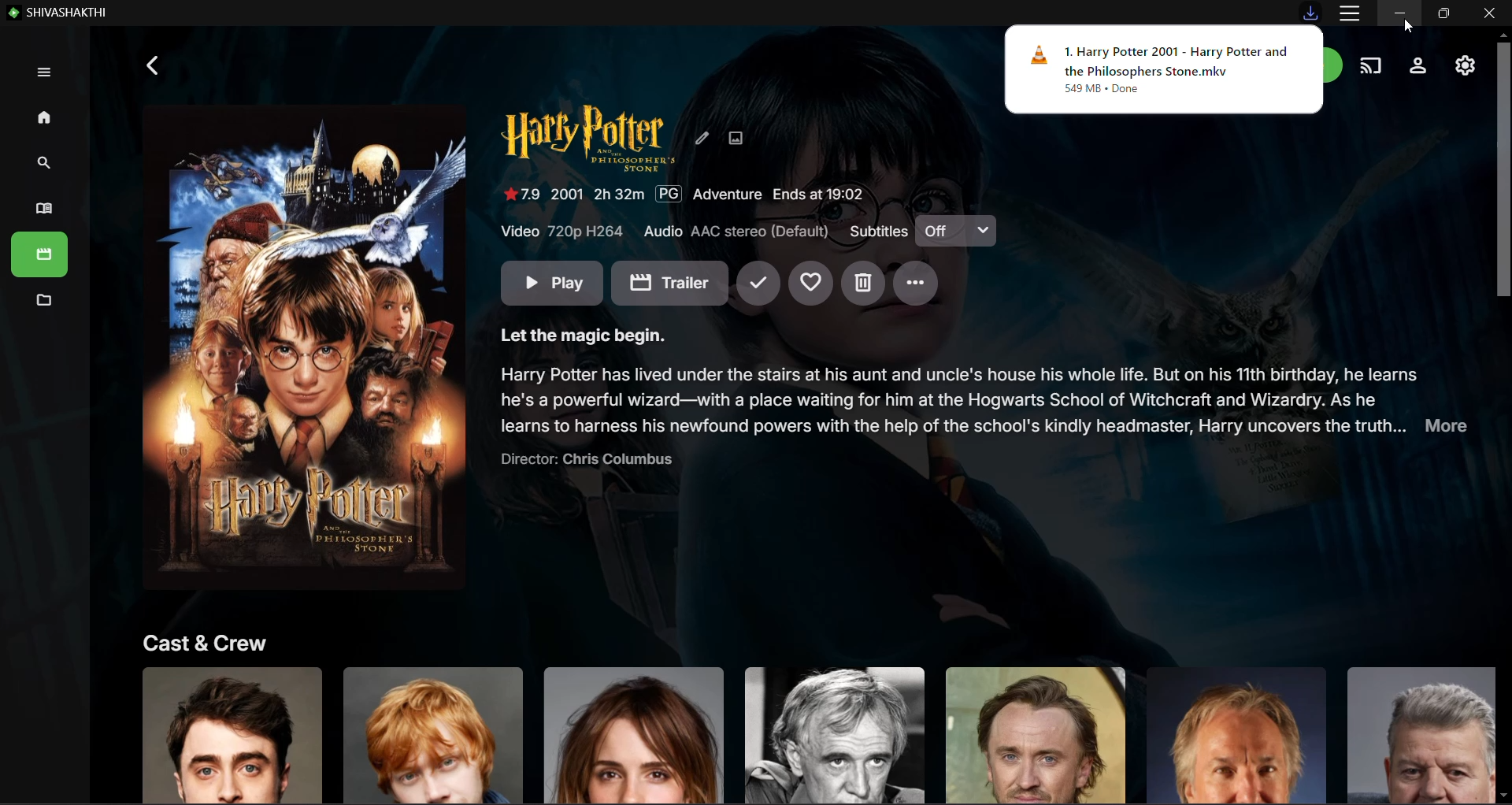  What do you see at coordinates (46, 118) in the screenshot?
I see `Home` at bounding box center [46, 118].